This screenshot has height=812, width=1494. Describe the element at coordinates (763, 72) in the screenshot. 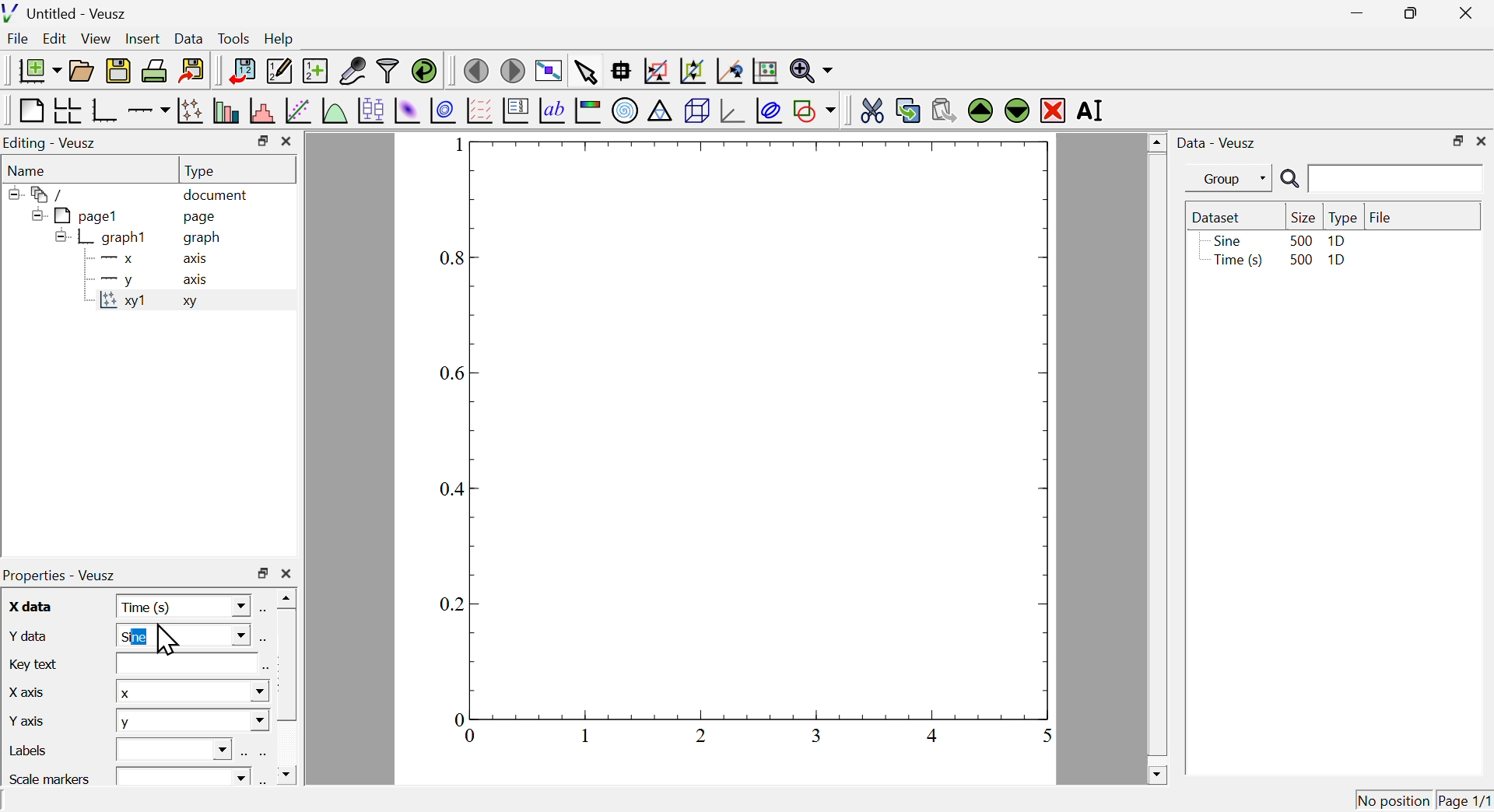

I see `rest graph axes` at that location.